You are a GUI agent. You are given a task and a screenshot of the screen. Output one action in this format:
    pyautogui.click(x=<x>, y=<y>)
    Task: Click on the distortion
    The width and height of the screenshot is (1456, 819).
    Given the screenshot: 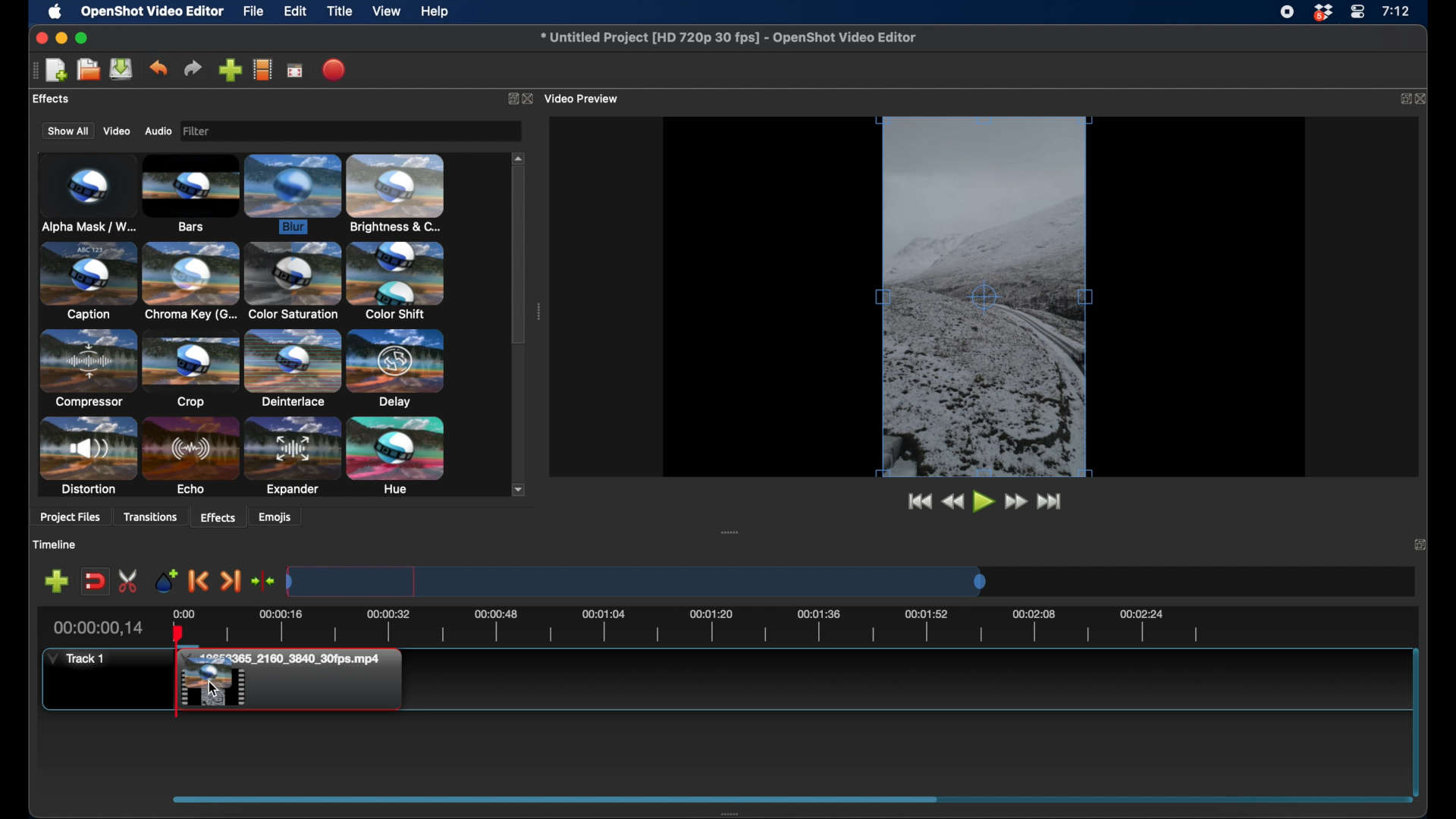 What is the action you would take?
    pyautogui.click(x=86, y=456)
    